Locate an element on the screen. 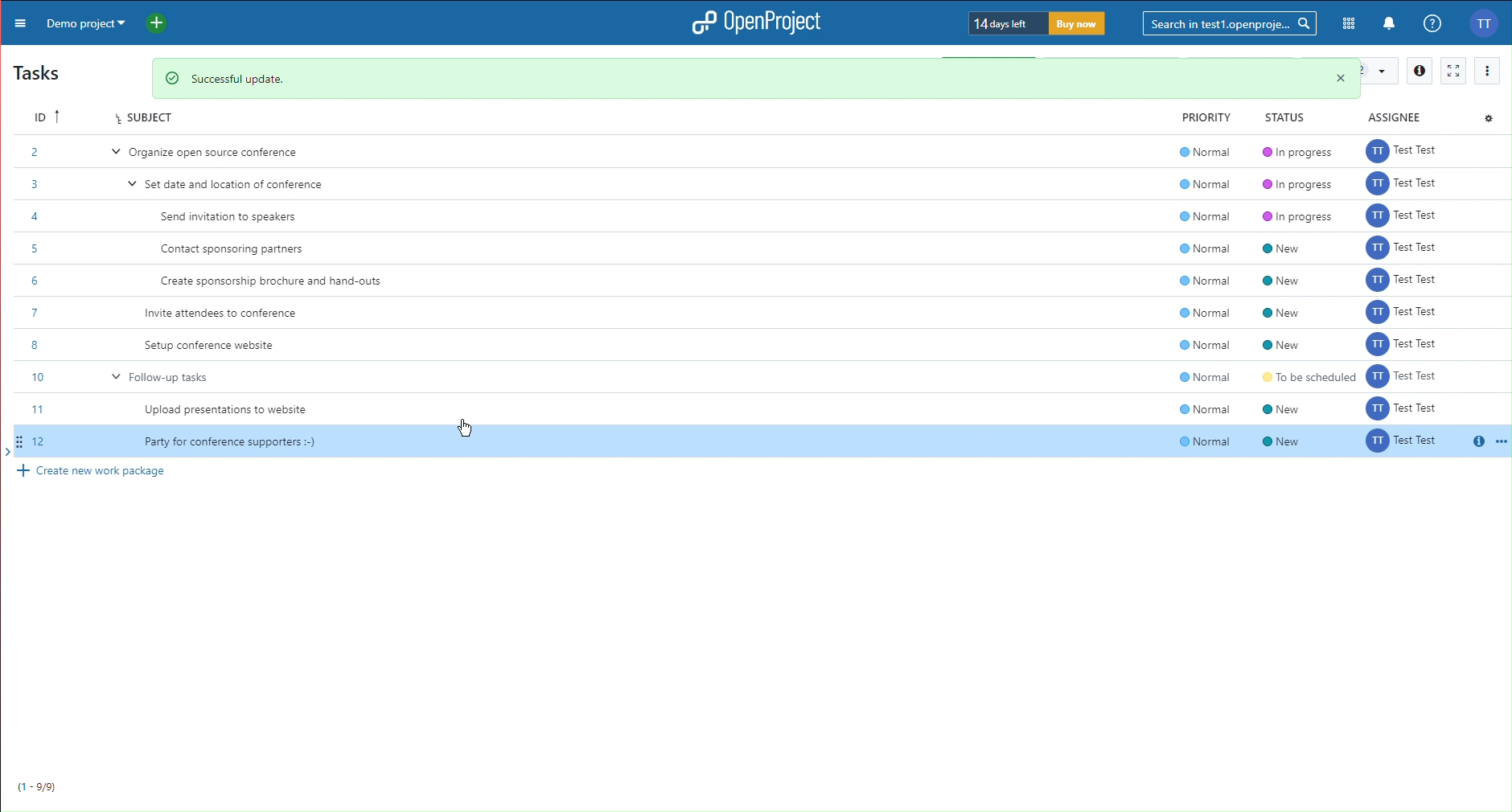 This screenshot has height=812, width=1512. Help is located at coordinates (1431, 24).